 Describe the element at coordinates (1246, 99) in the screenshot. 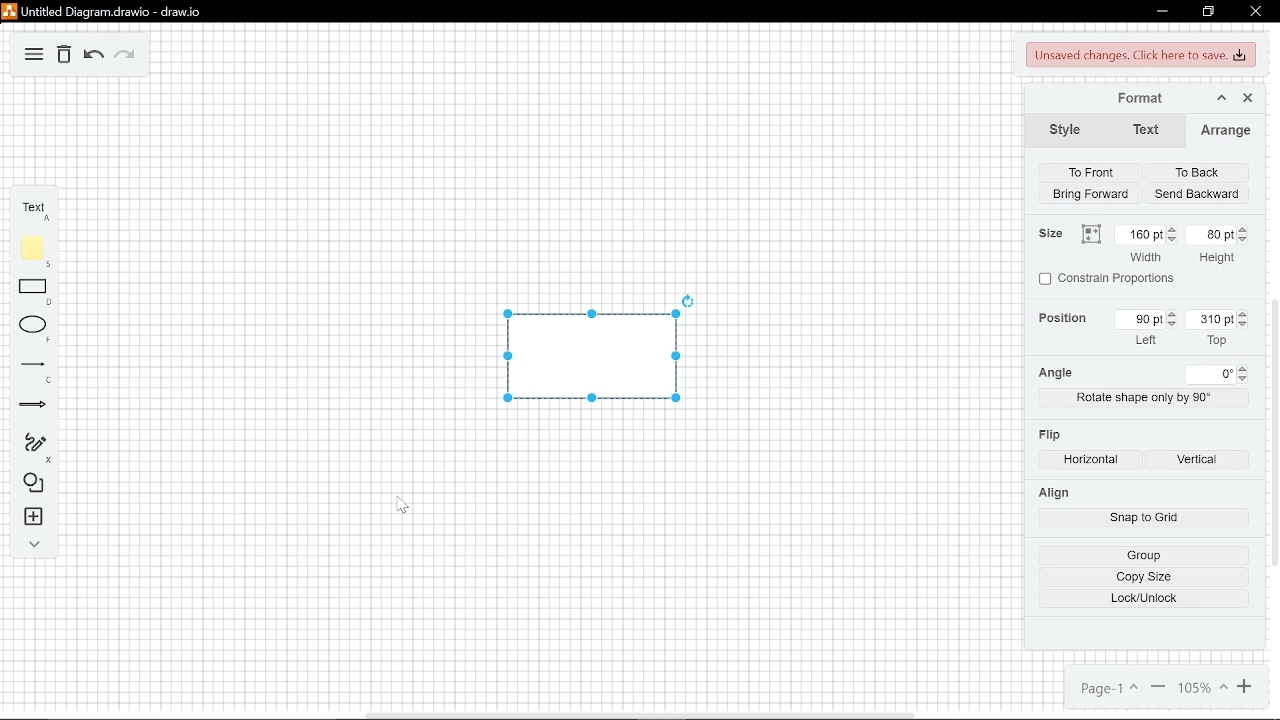

I see `close` at that location.